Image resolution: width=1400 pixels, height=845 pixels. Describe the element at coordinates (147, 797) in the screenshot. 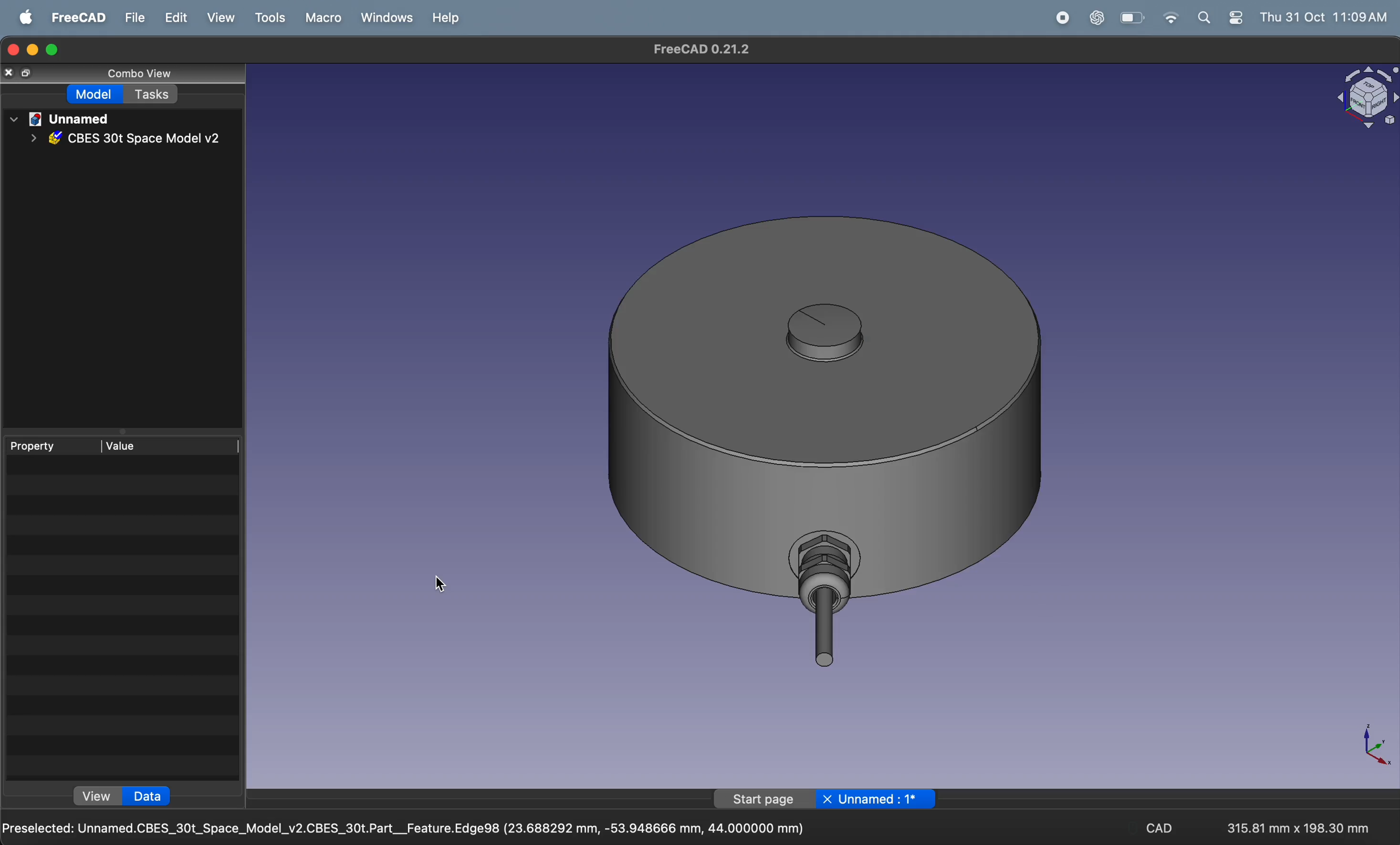

I see `data` at that location.